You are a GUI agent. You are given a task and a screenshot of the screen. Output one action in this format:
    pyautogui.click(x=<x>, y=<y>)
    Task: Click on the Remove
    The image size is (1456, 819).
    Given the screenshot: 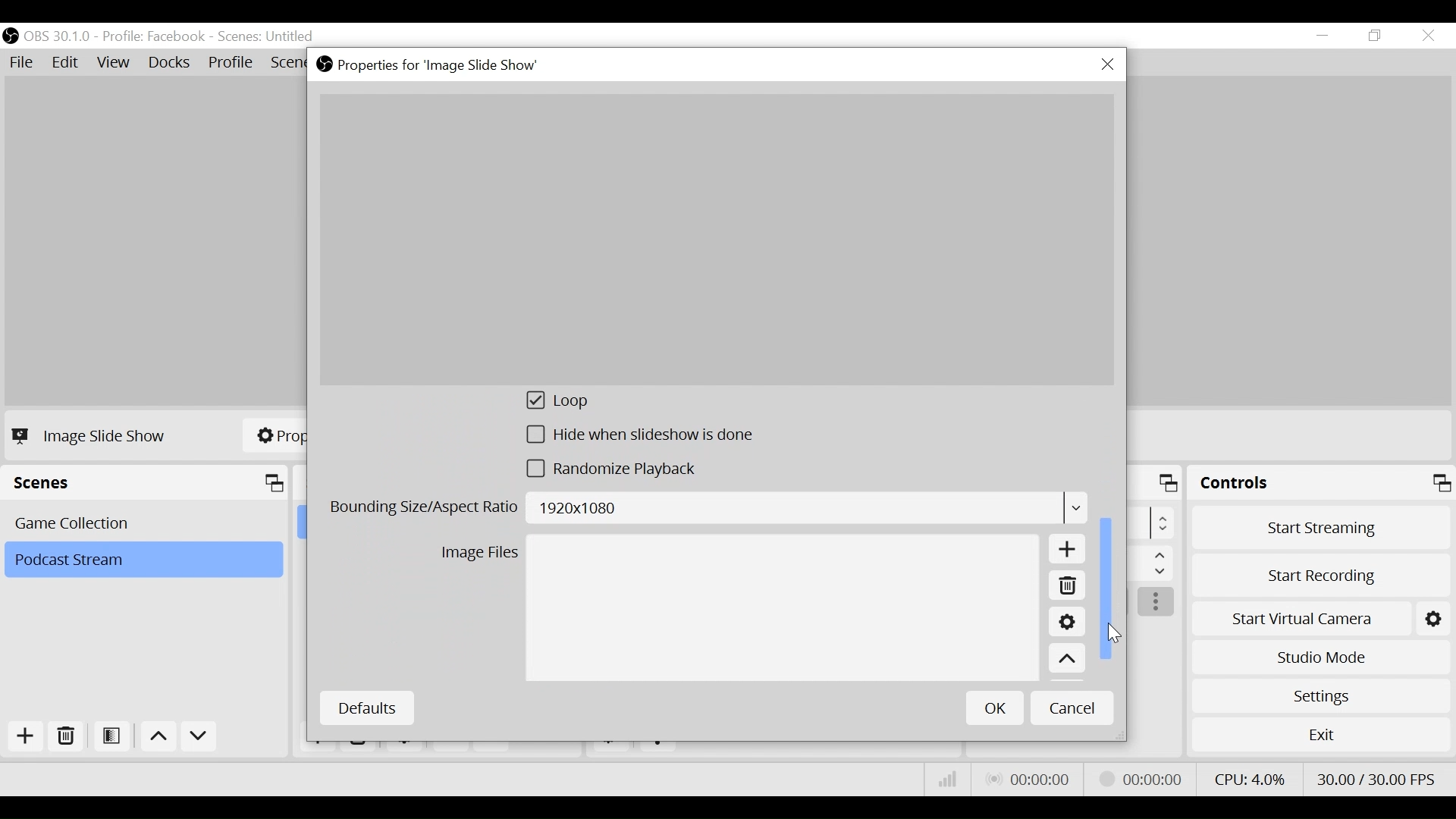 What is the action you would take?
    pyautogui.click(x=67, y=737)
    